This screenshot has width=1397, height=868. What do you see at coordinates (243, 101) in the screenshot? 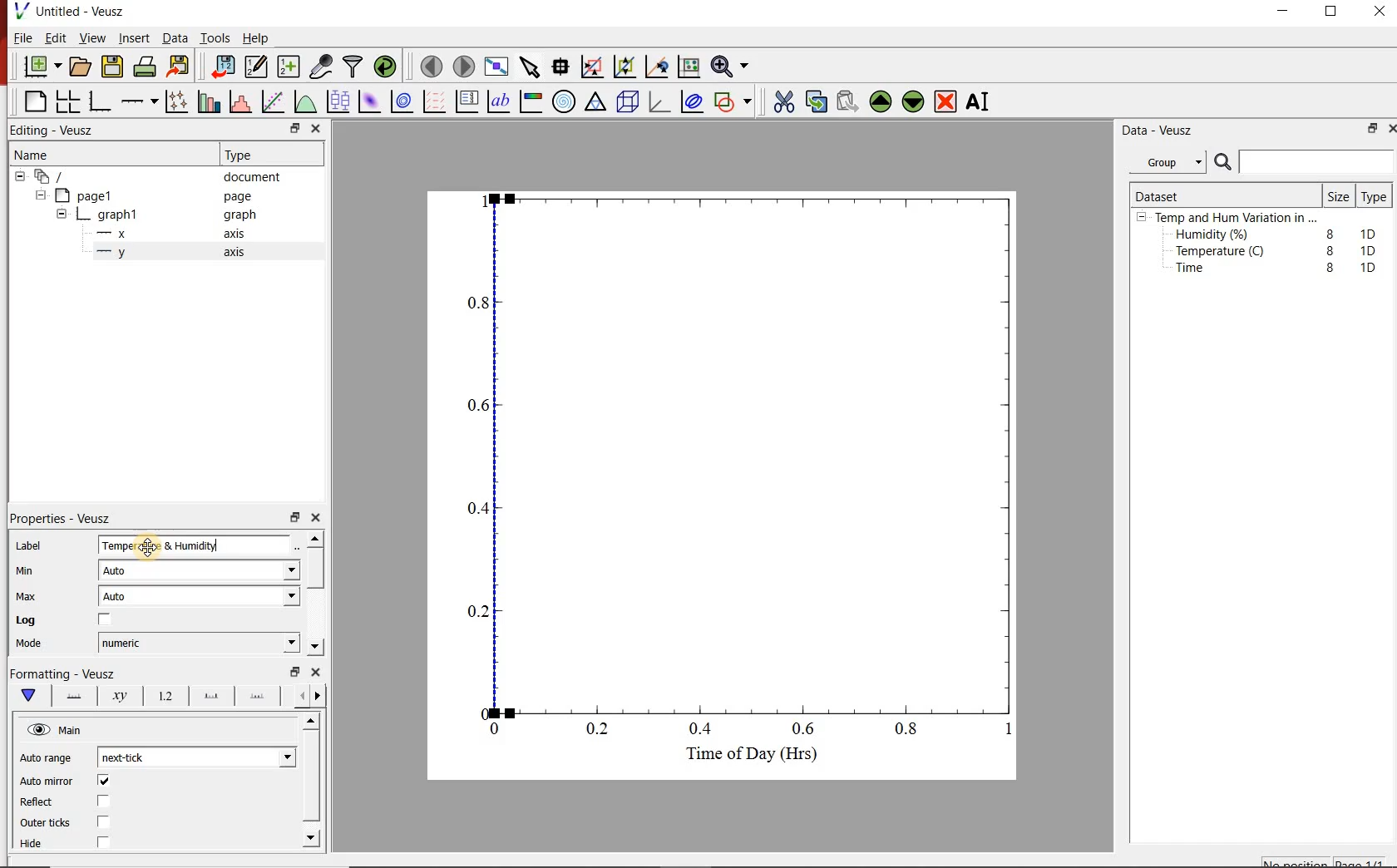
I see `histogram of a dataset` at bounding box center [243, 101].